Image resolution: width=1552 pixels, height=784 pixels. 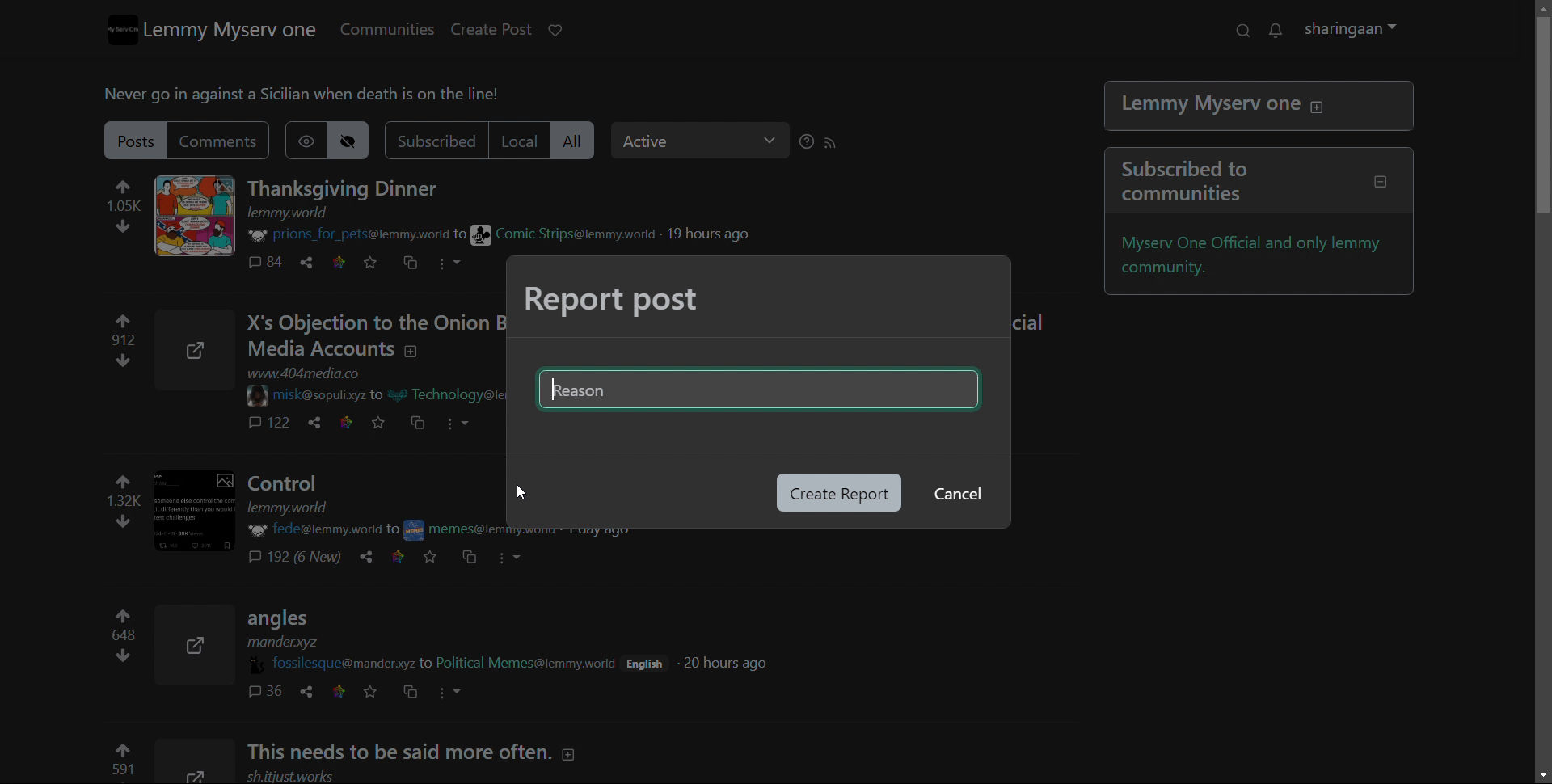 What do you see at coordinates (201, 351) in the screenshot?
I see `Expand here with the image` at bounding box center [201, 351].